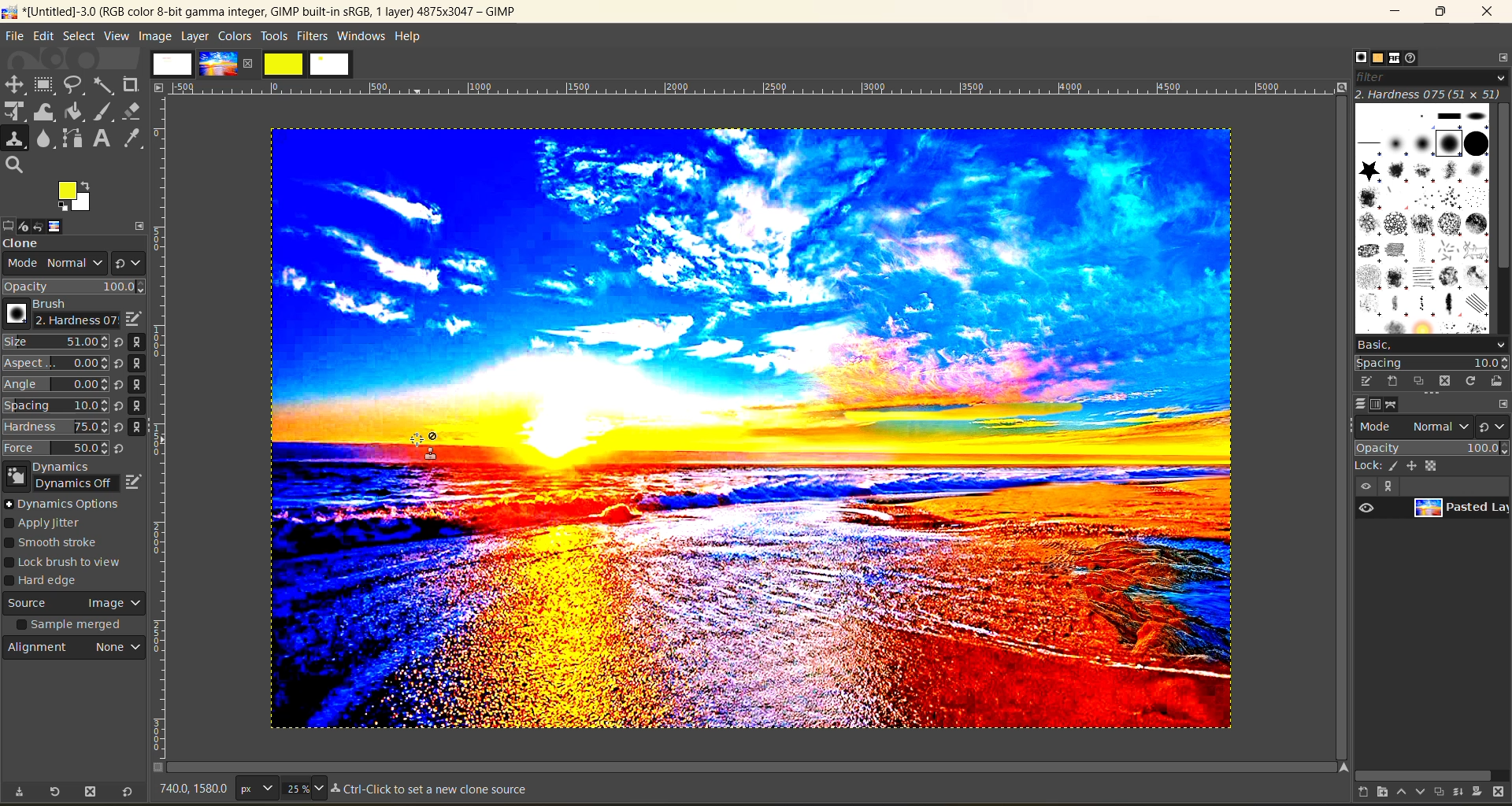 The width and height of the screenshot is (1512, 806). What do you see at coordinates (1436, 793) in the screenshot?
I see `create a layer` at bounding box center [1436, 793].